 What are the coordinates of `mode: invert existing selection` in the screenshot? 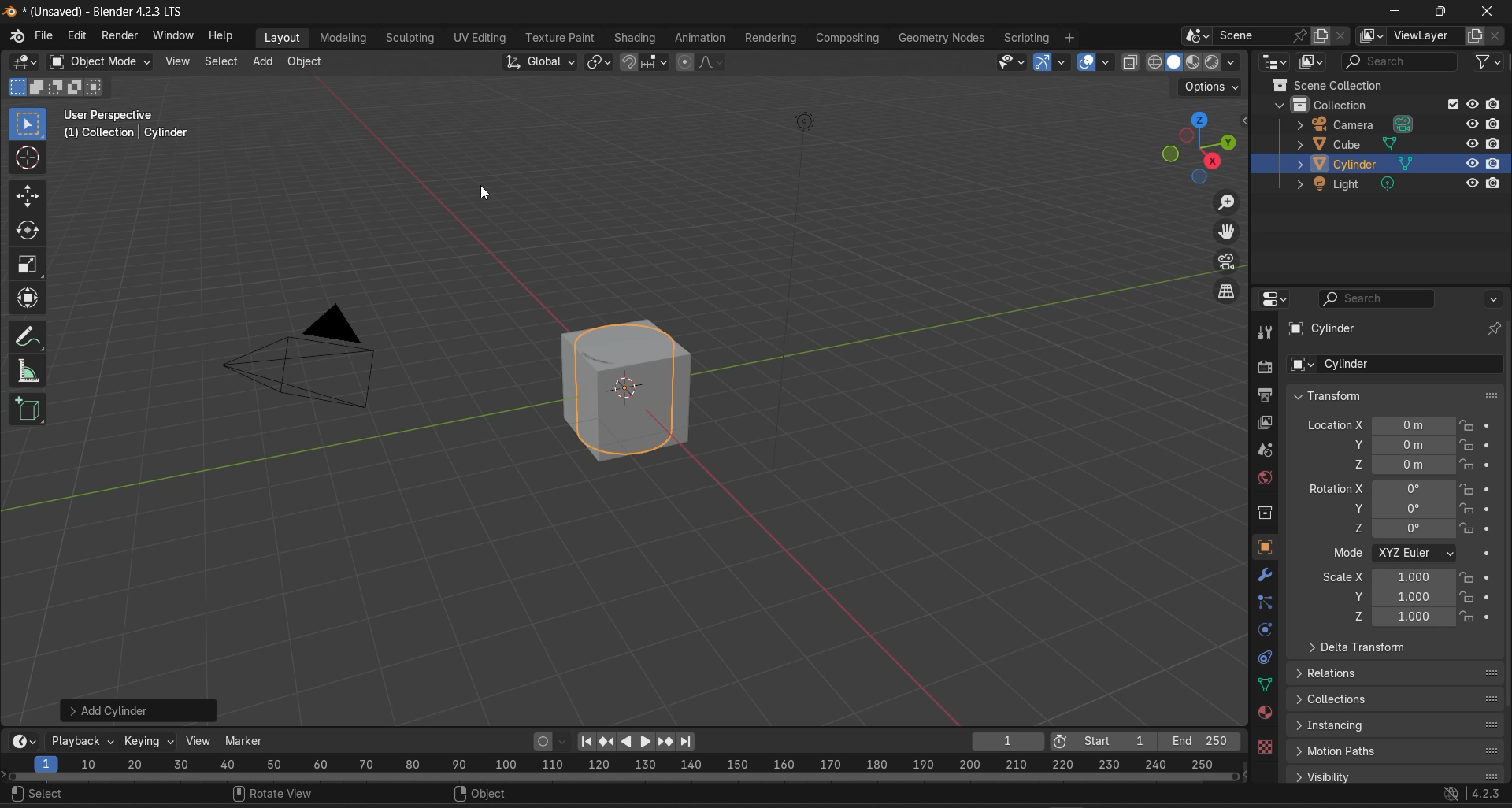 It's located at (76, 87).